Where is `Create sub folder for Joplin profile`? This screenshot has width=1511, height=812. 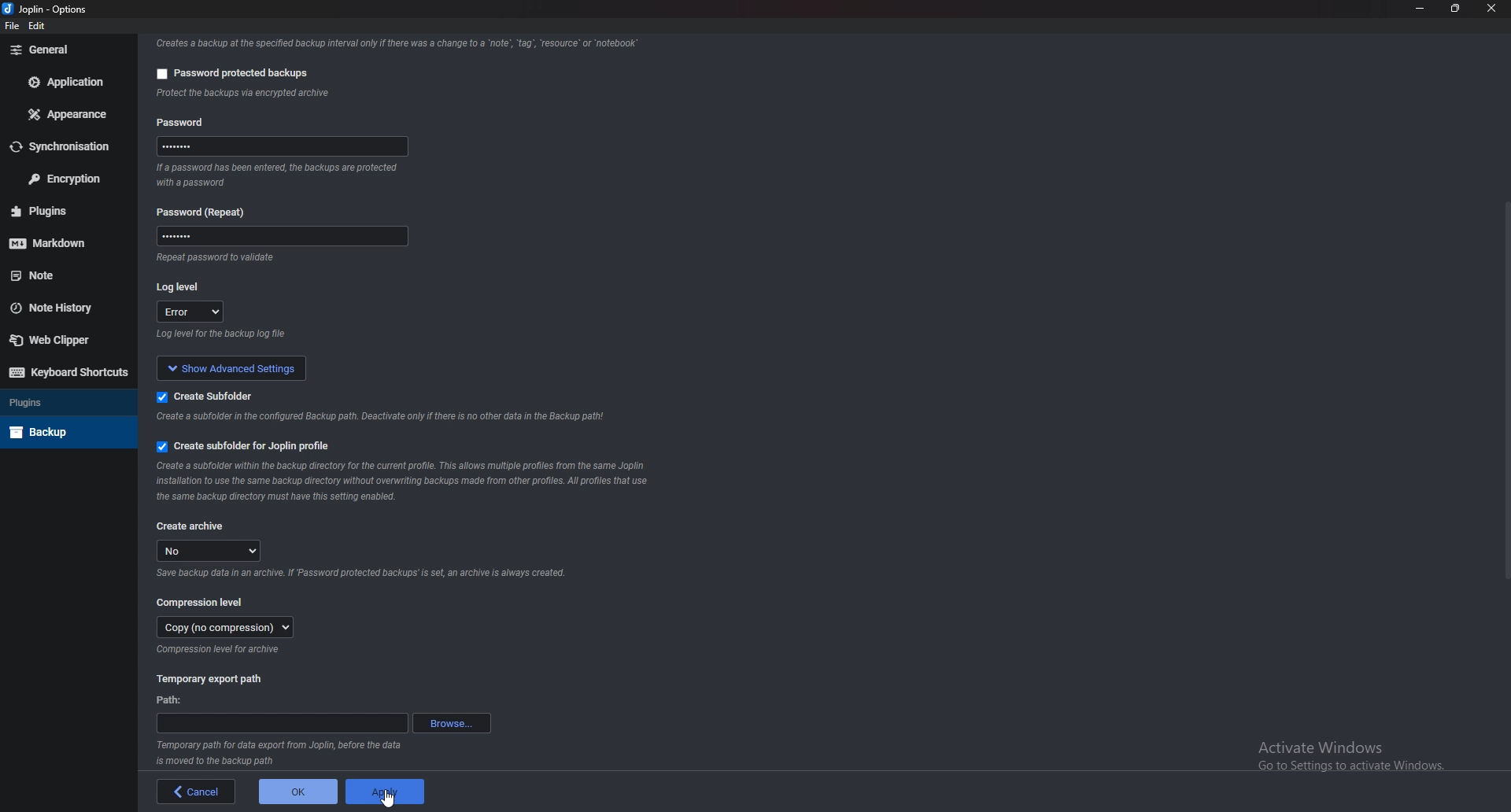 Create sub folder for Joplin profile is located at coordinates (242, 447).